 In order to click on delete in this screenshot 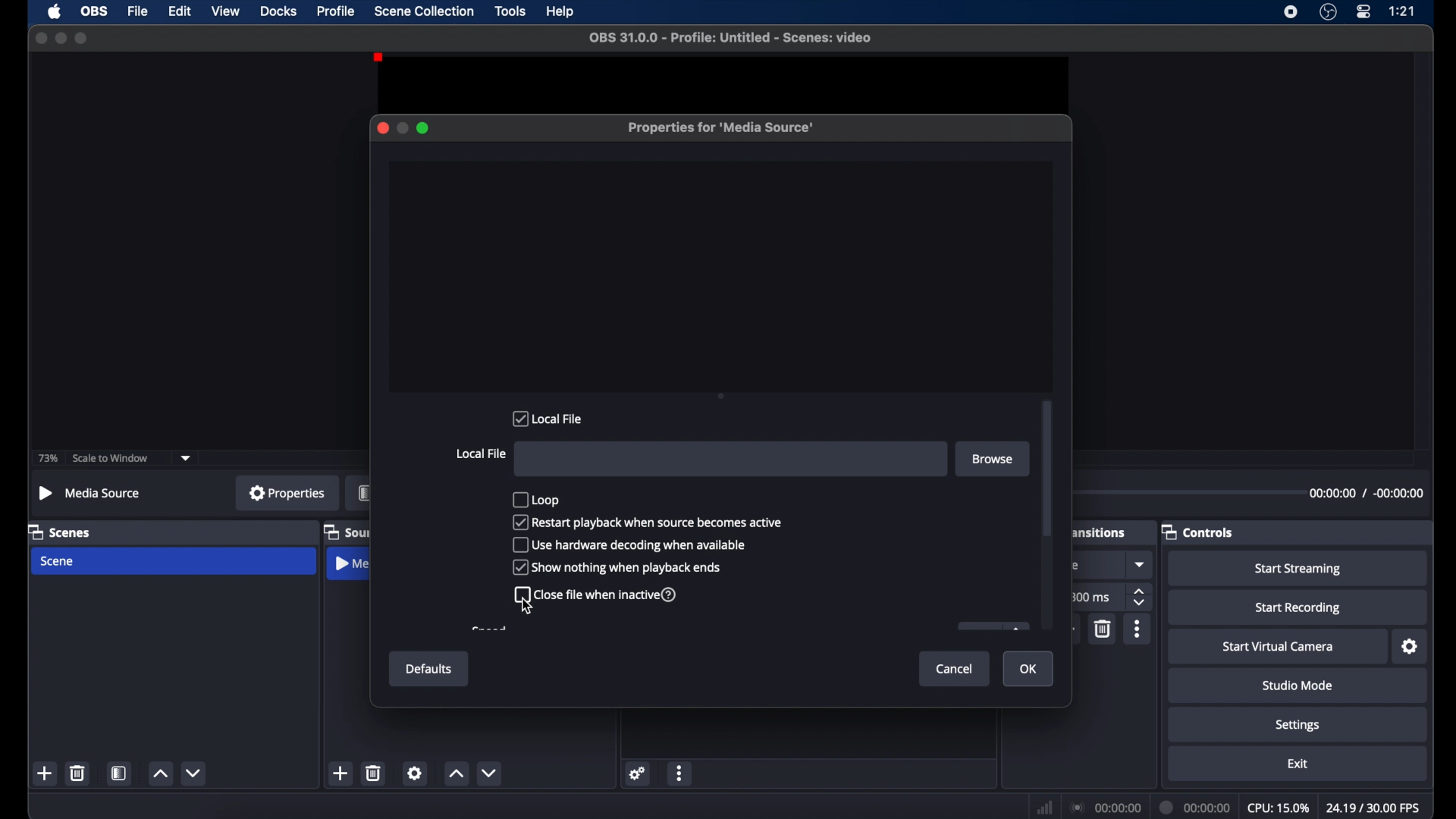, I will do `click(1103, 629)`.